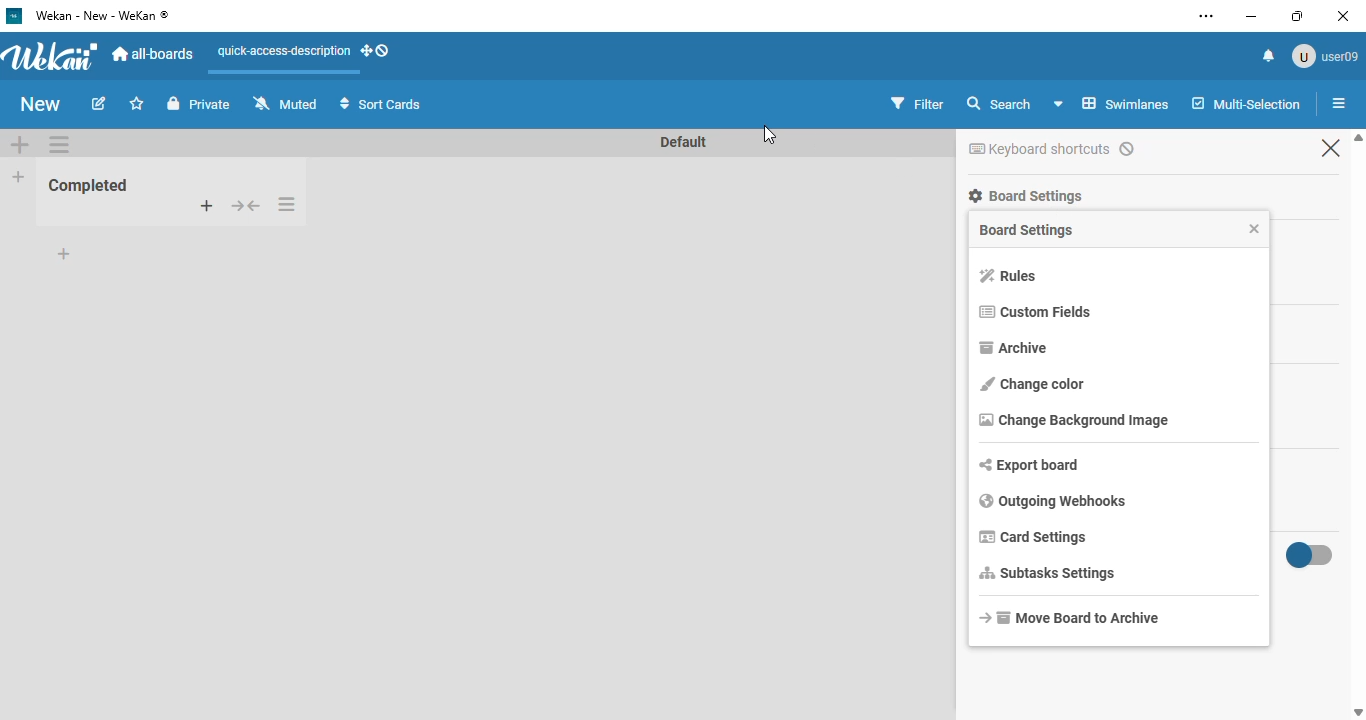 The image size is (1366, 720). I want to click on list actions, so click(286, 204).